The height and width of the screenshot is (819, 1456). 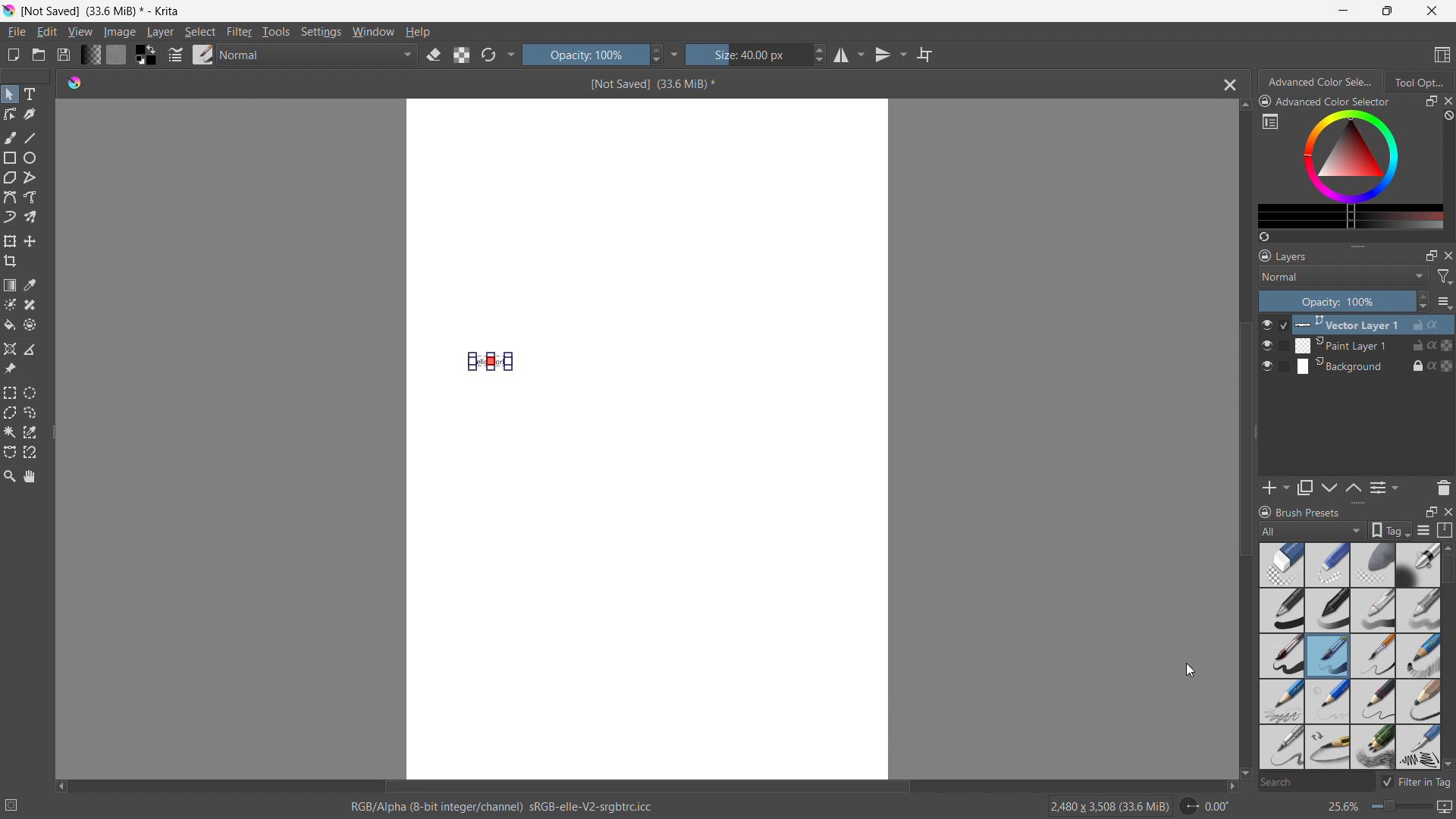 What do you see at coordinates (90, 54) in the screenshot?
I see `fill gradients` at bounding box center [90, 54].